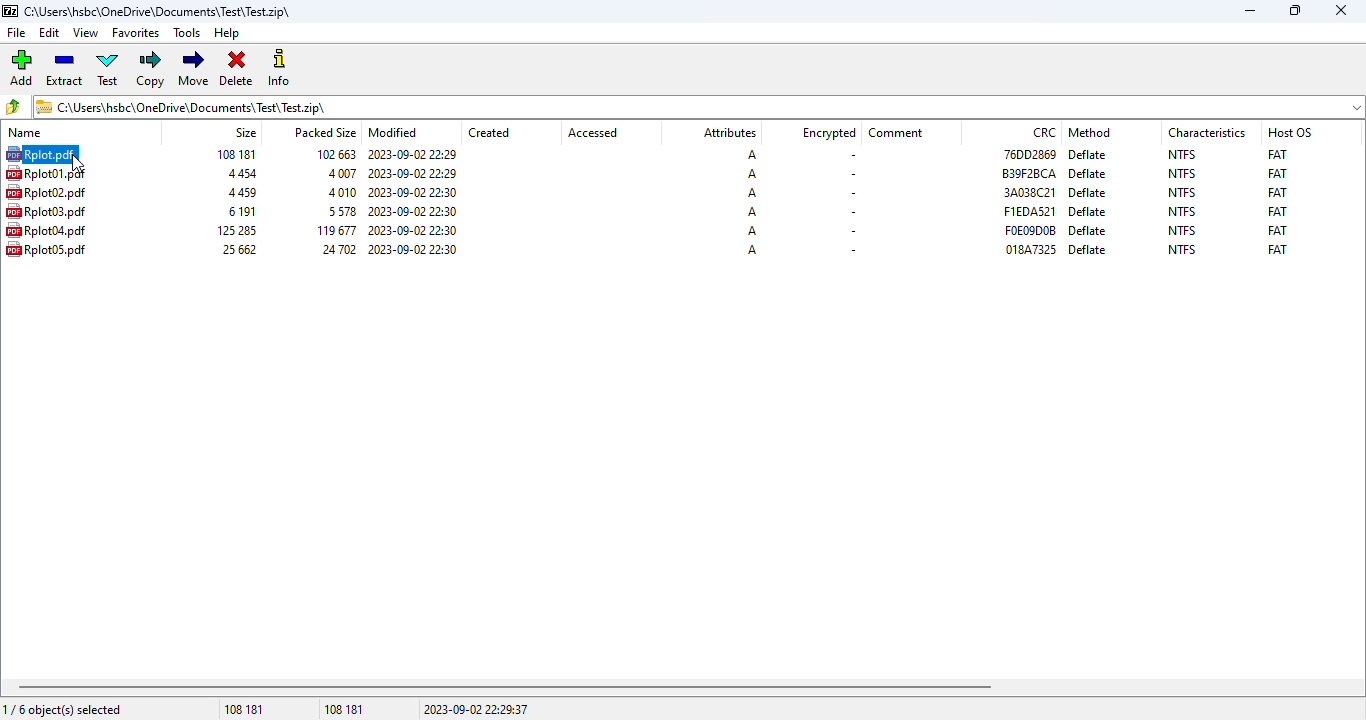 This screenshot has width=1366, height=720. What do you see at coordinates (851, 231) in the screenshot?
I see `-` at bounding box center [851, 231].